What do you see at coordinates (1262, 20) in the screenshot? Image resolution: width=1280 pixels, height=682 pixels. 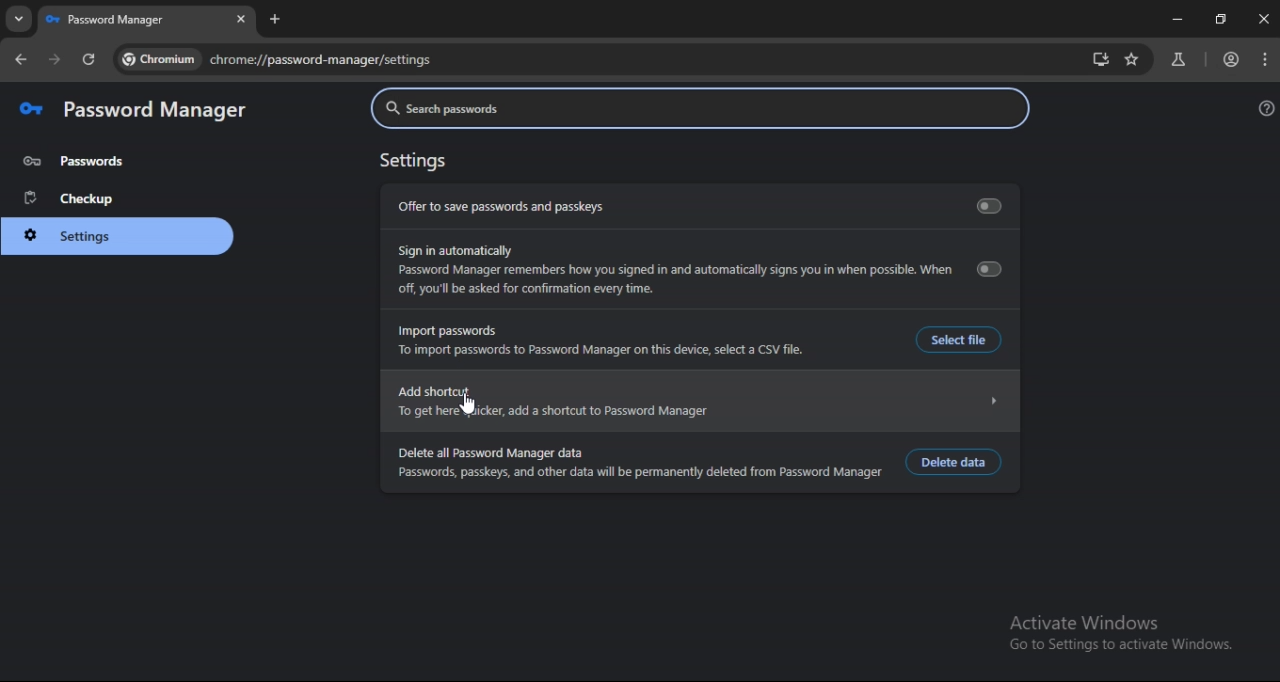 I see `close` at bounding box center [1262, 20].